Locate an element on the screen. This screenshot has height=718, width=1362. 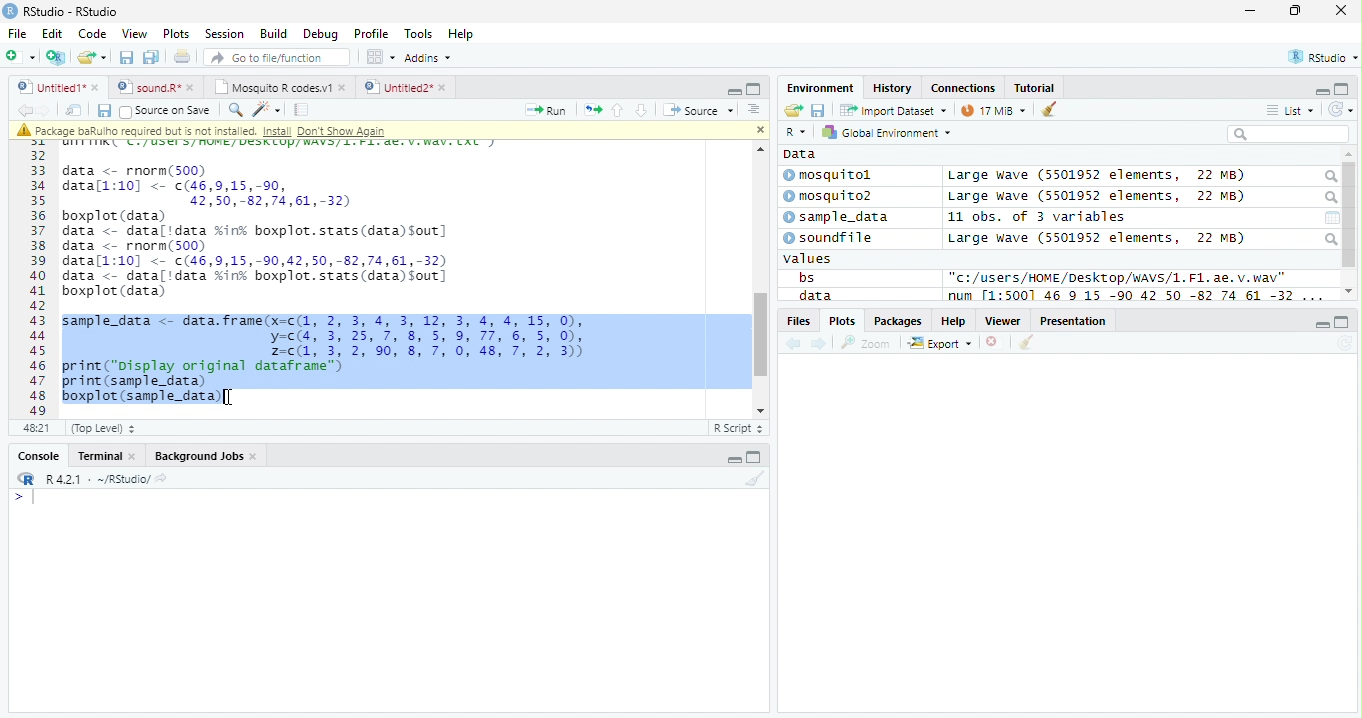
soundfile is located at coordinates (829, 238).